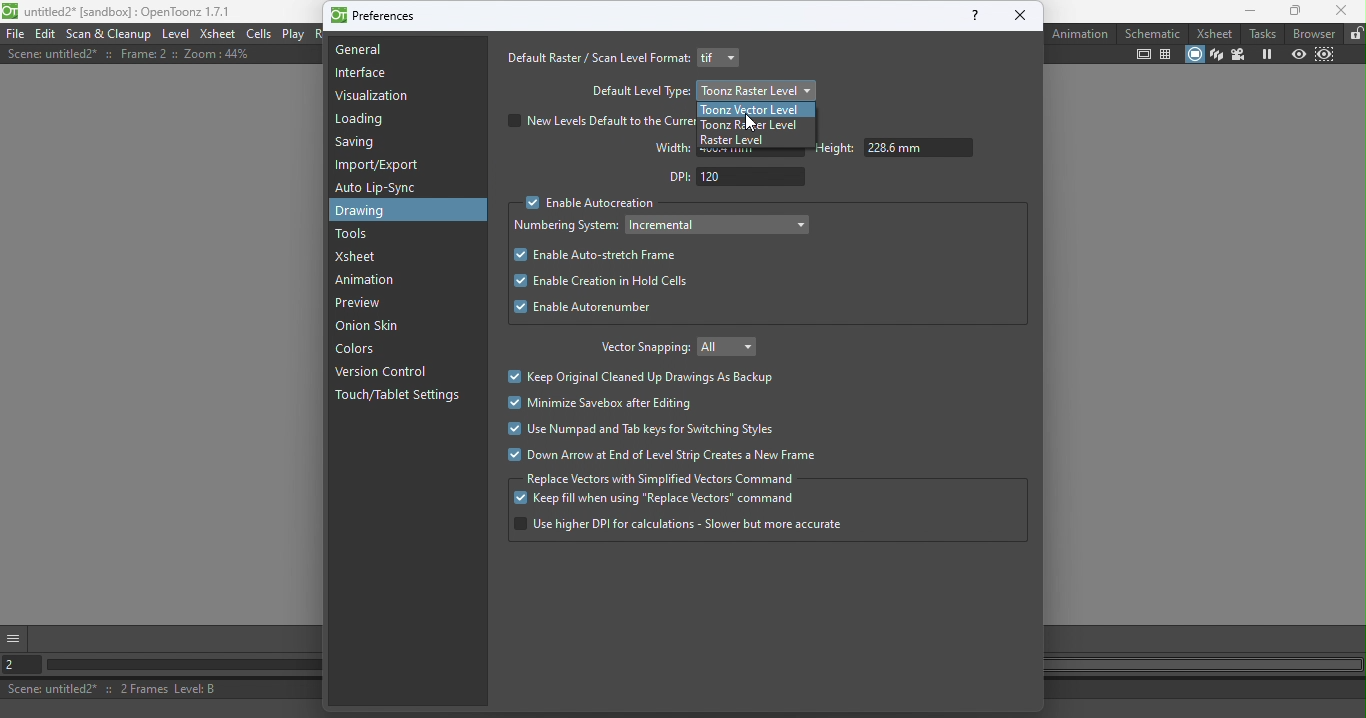 The height and width of the screenshot is (718, 1366). What do you see at coordinates (1237, 54) in the screenshot?
I see `Camera view` at bounding box center [1237, 54].